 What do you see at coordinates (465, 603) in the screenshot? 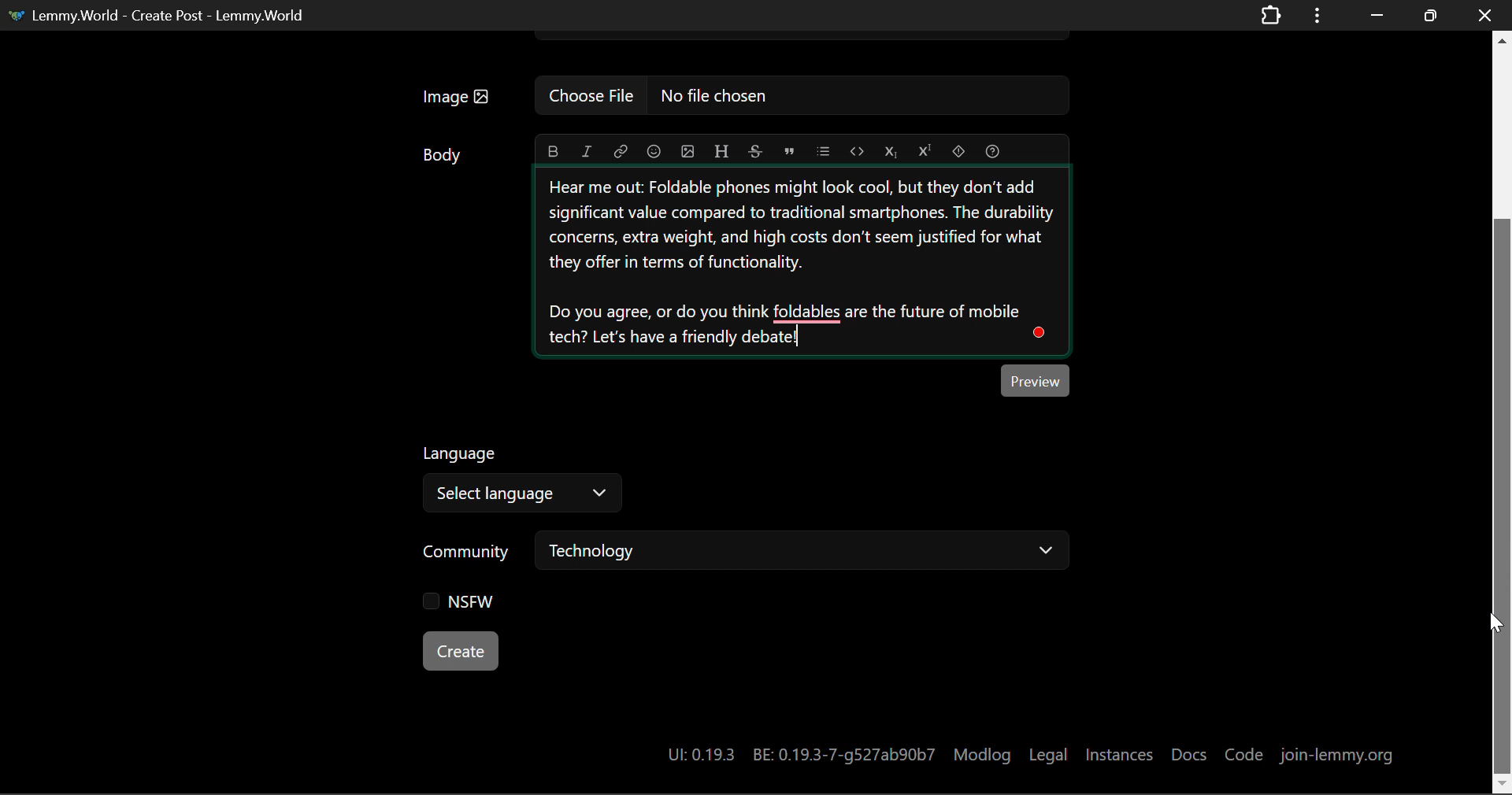
I see `NSFW Checkbox` at bounding box center [465, 603].